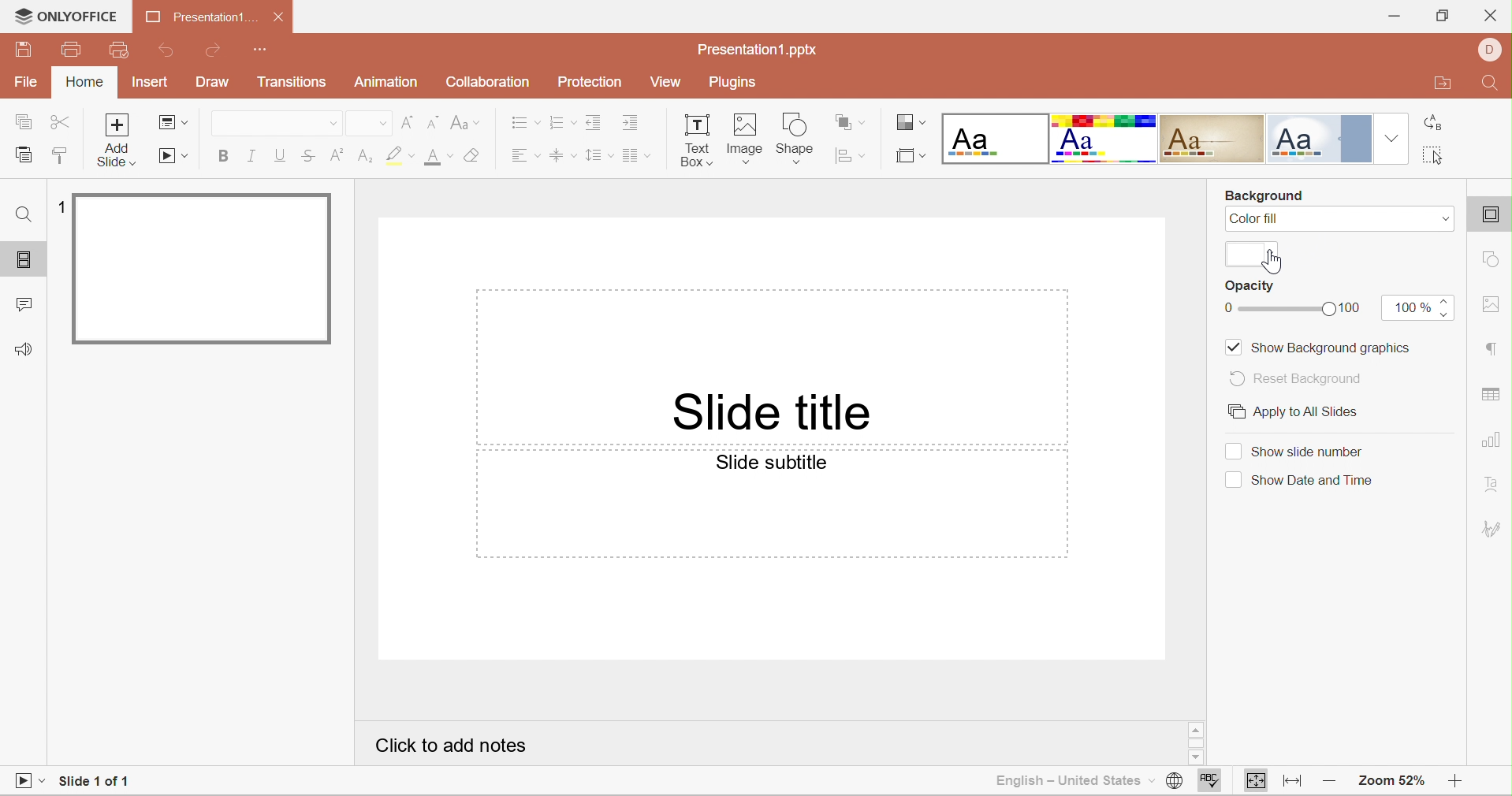 The image size is (1512, 796). Describe the element at coordinates (59, 154) in the screenshot. I see `Copy style` at that location.